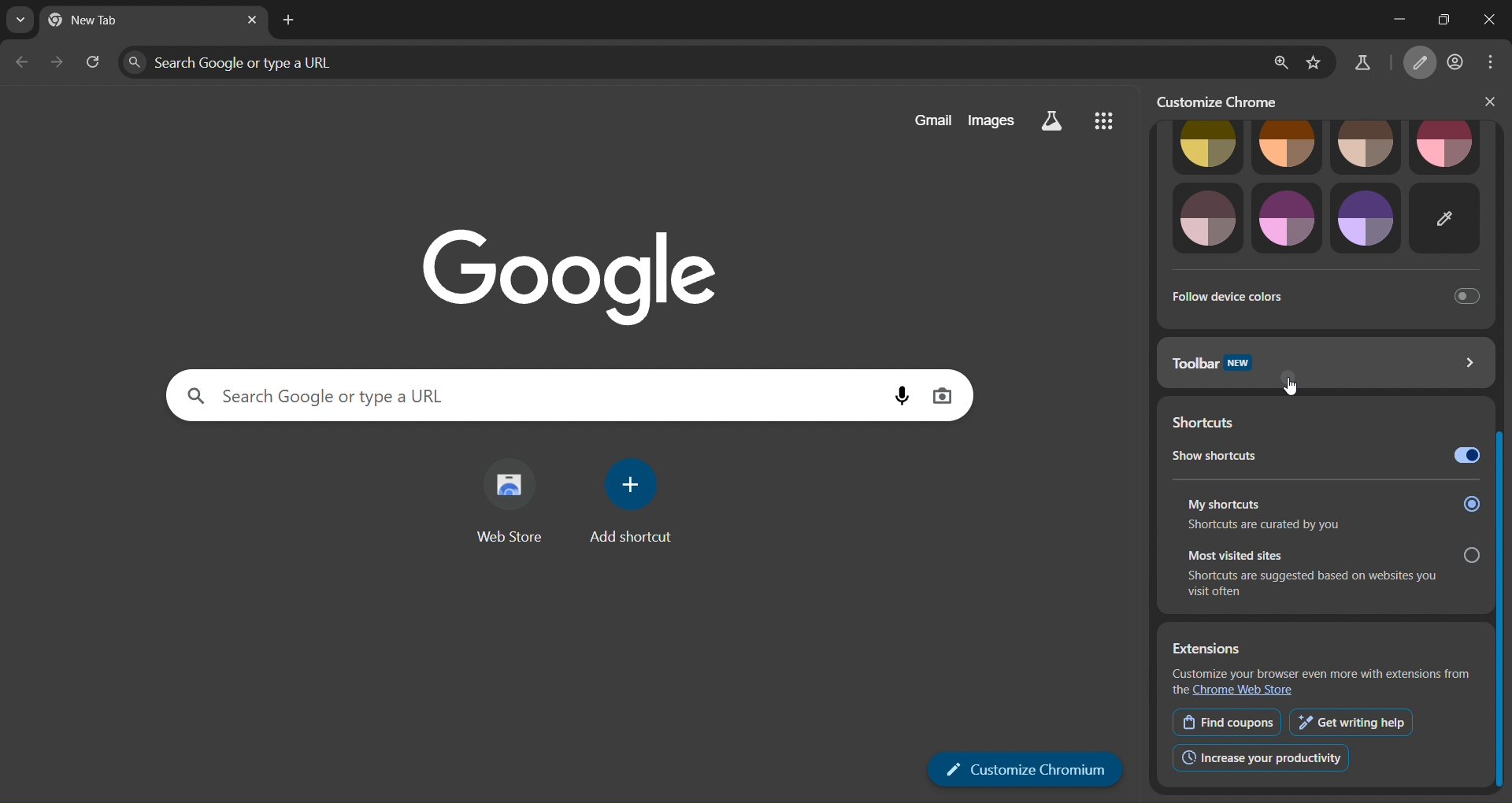 The image size is (1512, 803). Describe the element at coordinates (22, 61) in the screenshot. I see `go back one page` at that location.